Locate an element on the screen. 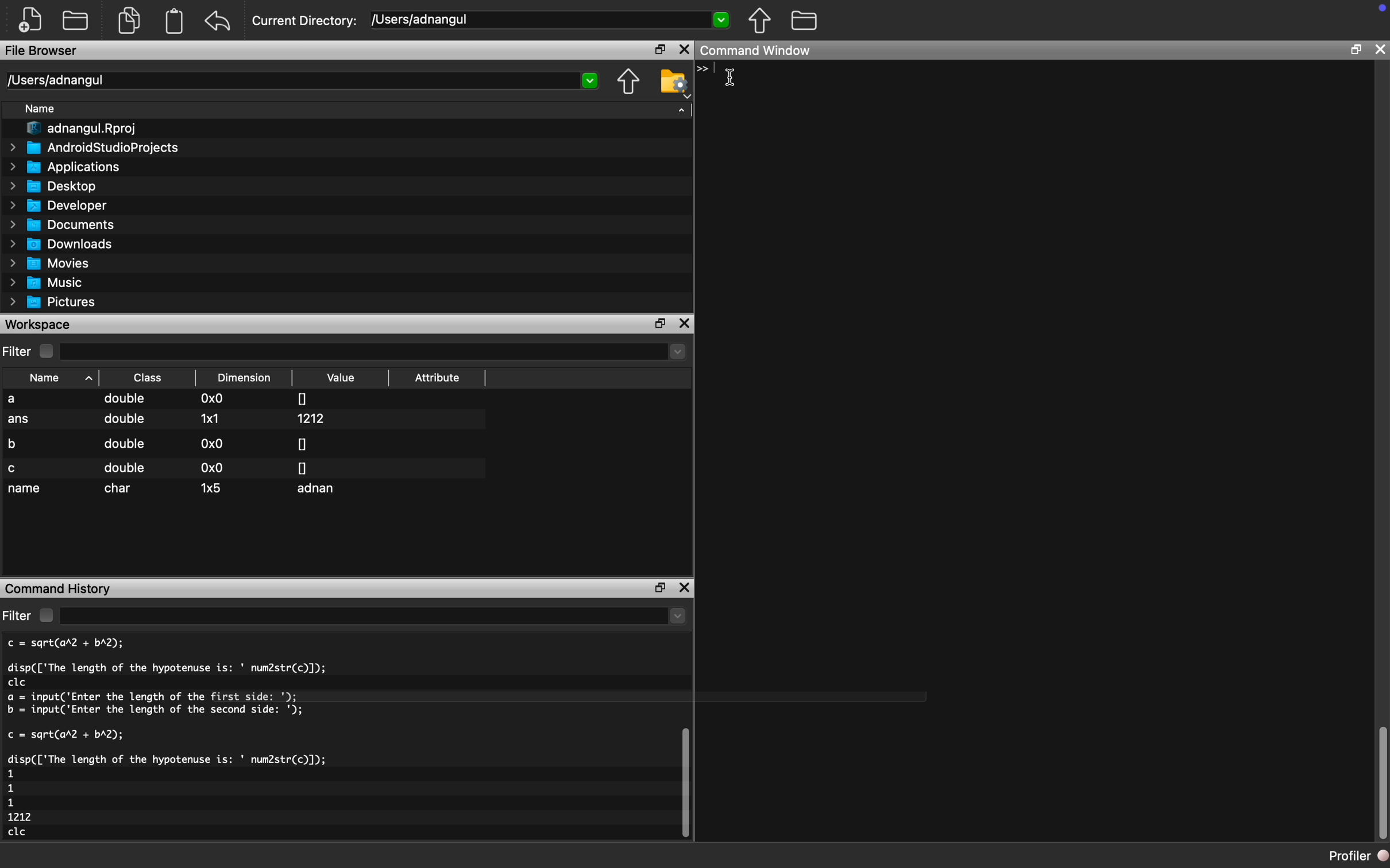 This screenshot has width=1390, height=868. 0 is located at coordinates (302, 443).